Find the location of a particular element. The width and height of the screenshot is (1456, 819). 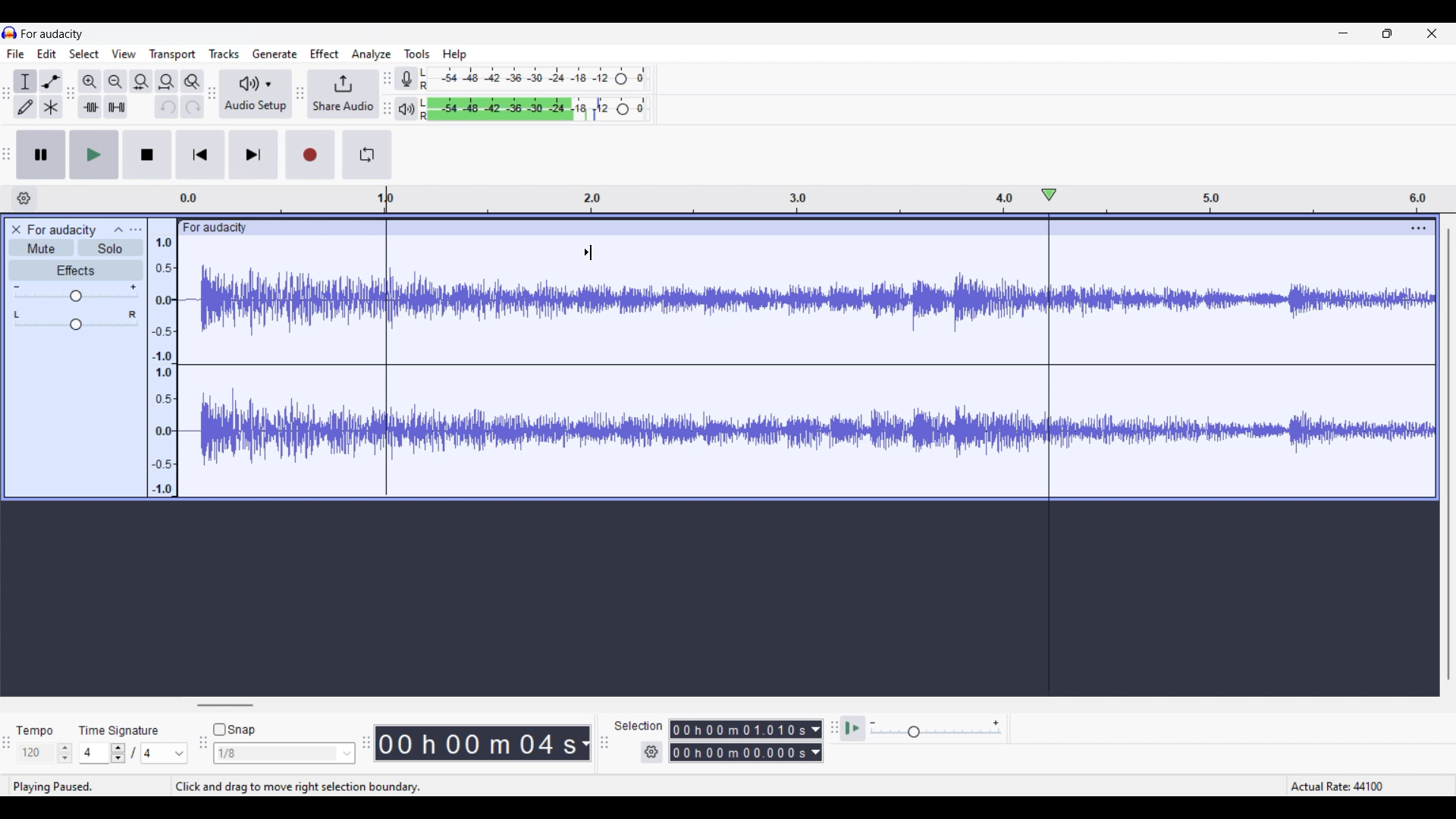

Show in smaller tab is located at coordinates (1387, 33).